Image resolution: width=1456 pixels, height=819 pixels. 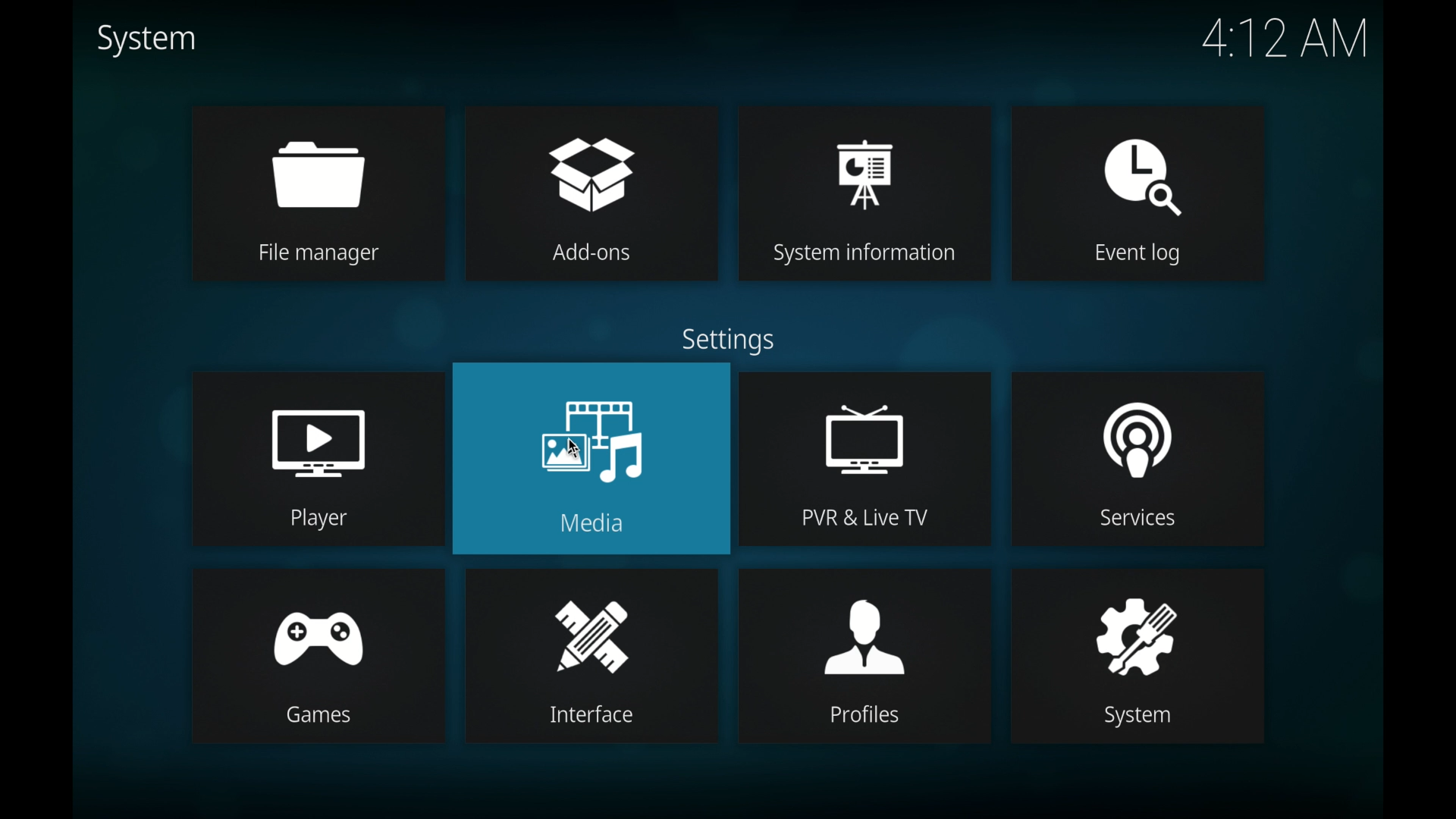 I want to click on system, so click(x=1134, y=629).